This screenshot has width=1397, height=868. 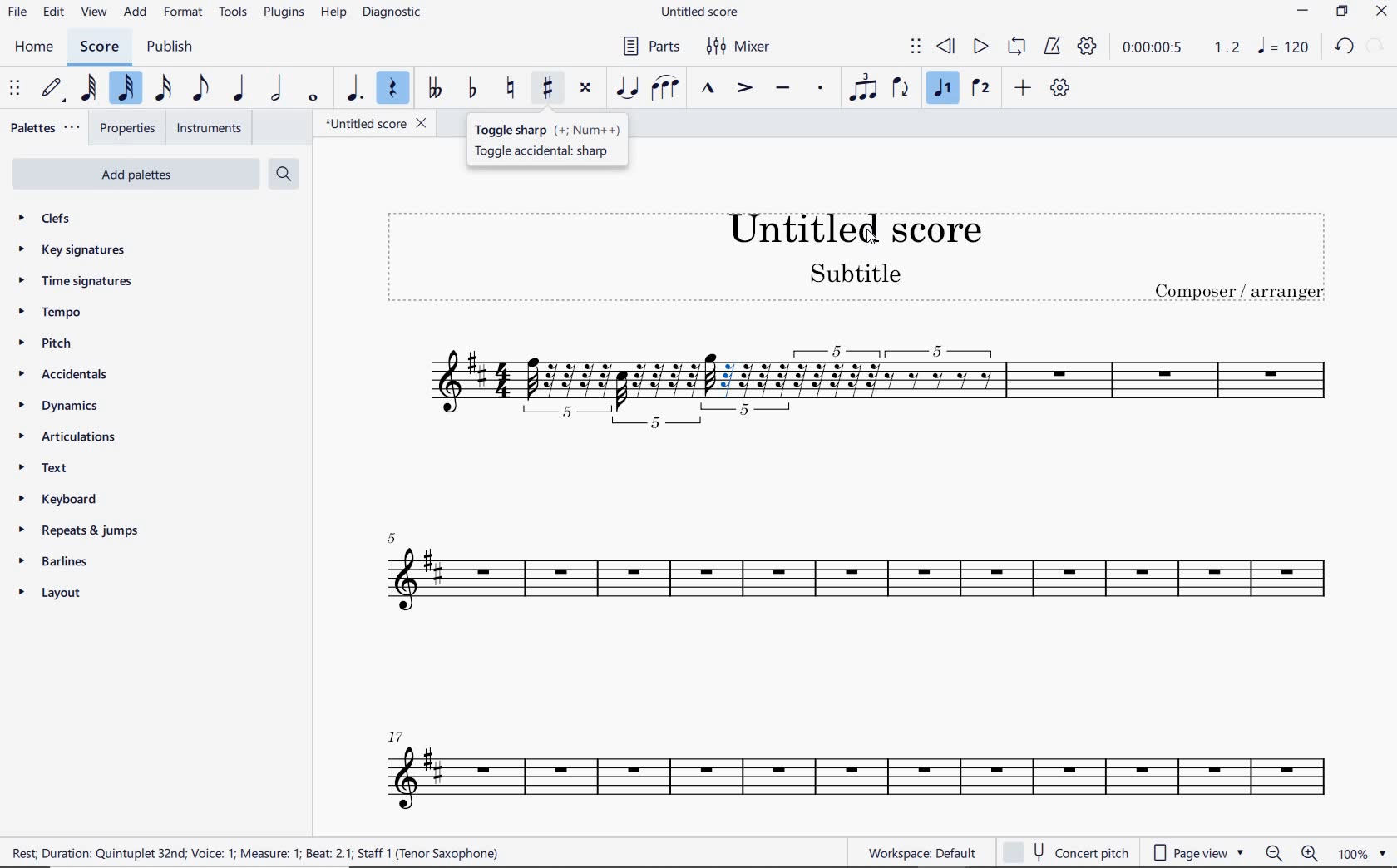 What do you see at coordinates (86, 282) in the screenshot?
I see `TIME SIGNATURES` at bounding box center [86, 282].